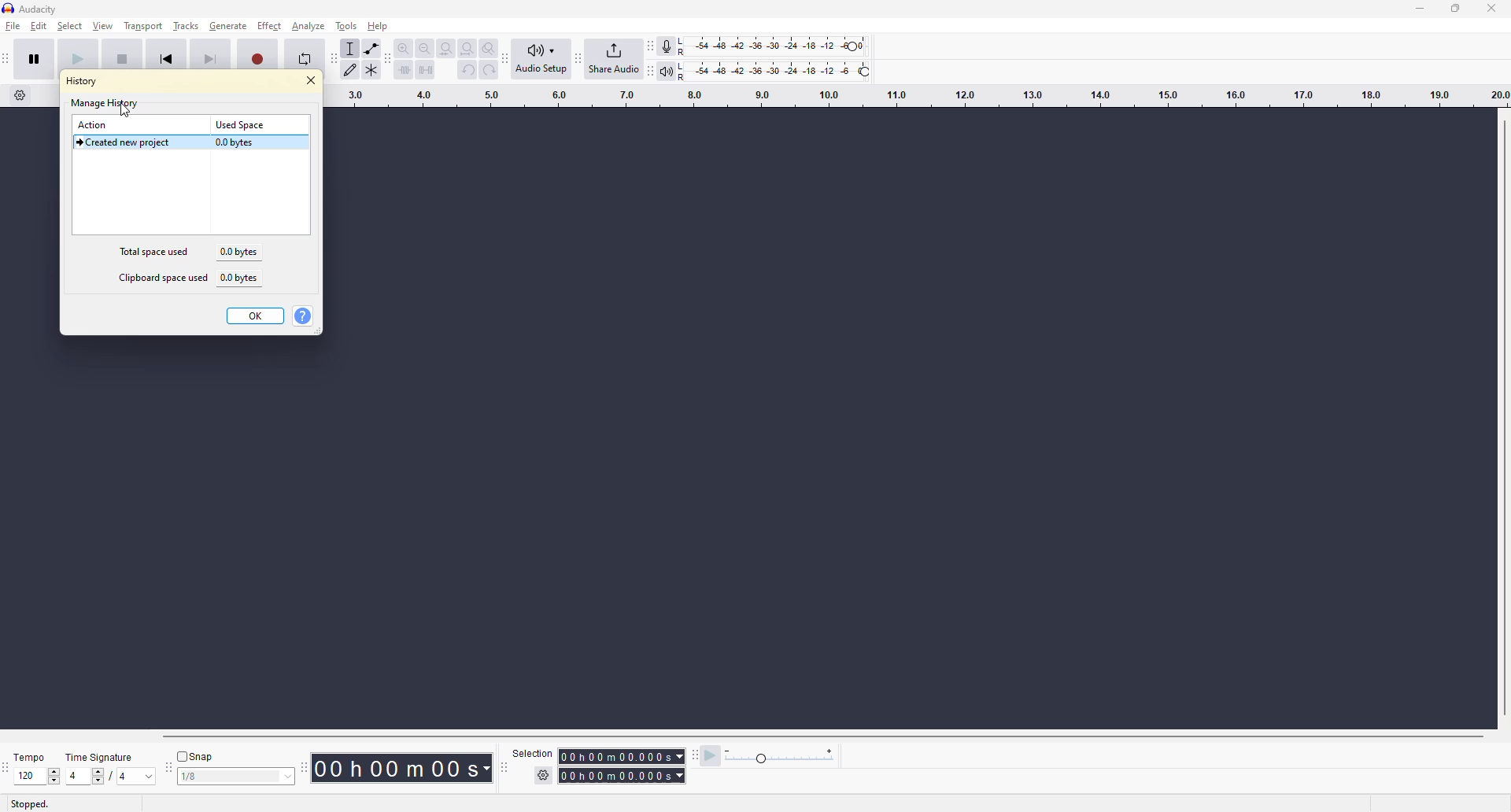 This screenshot has height=812, width=1511. Describe the element at coordinates (95, 125) in the screenshot. I see `Action` at that location.